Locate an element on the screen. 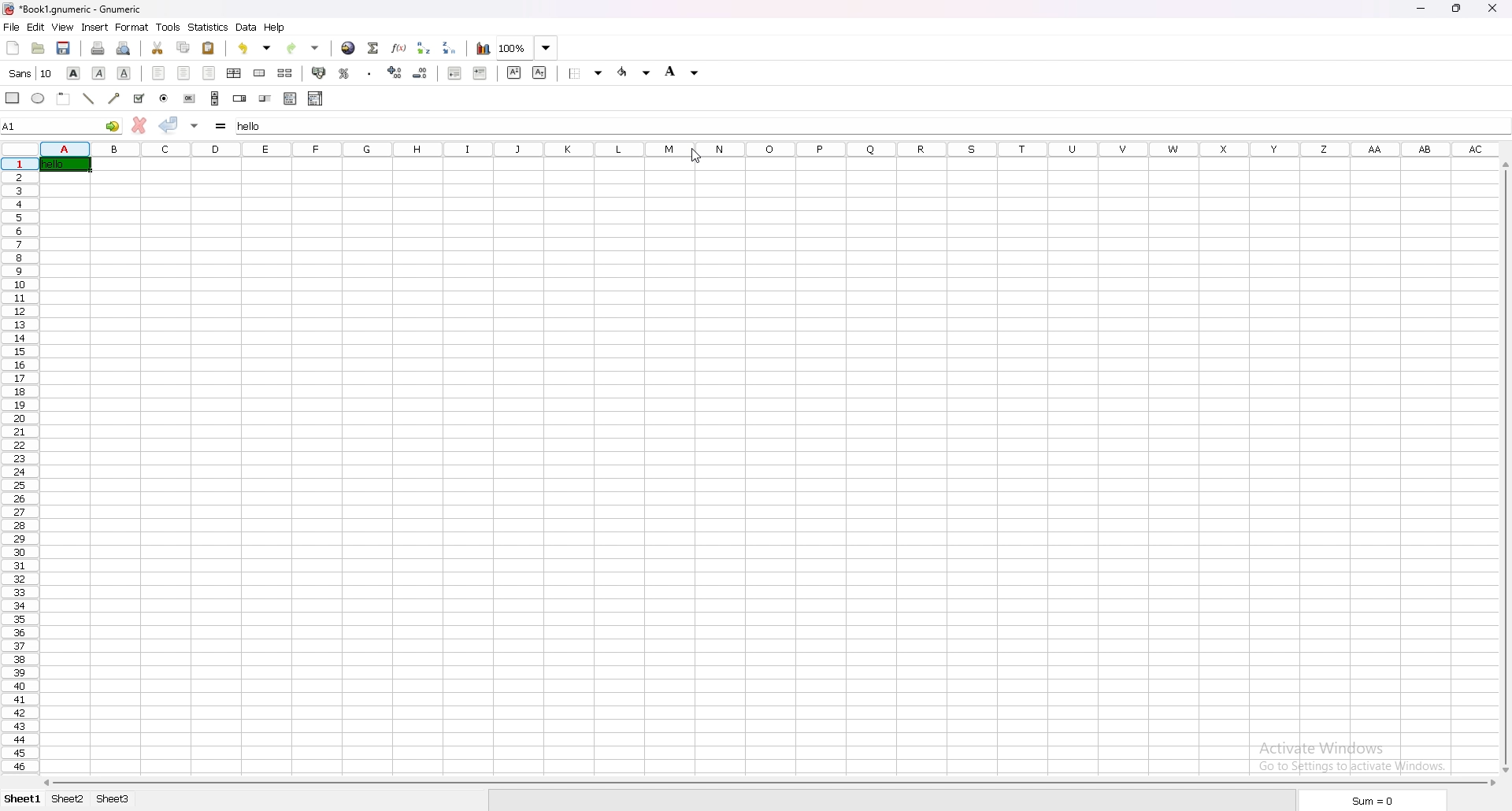  resize is located at coordinates (1457, 9).